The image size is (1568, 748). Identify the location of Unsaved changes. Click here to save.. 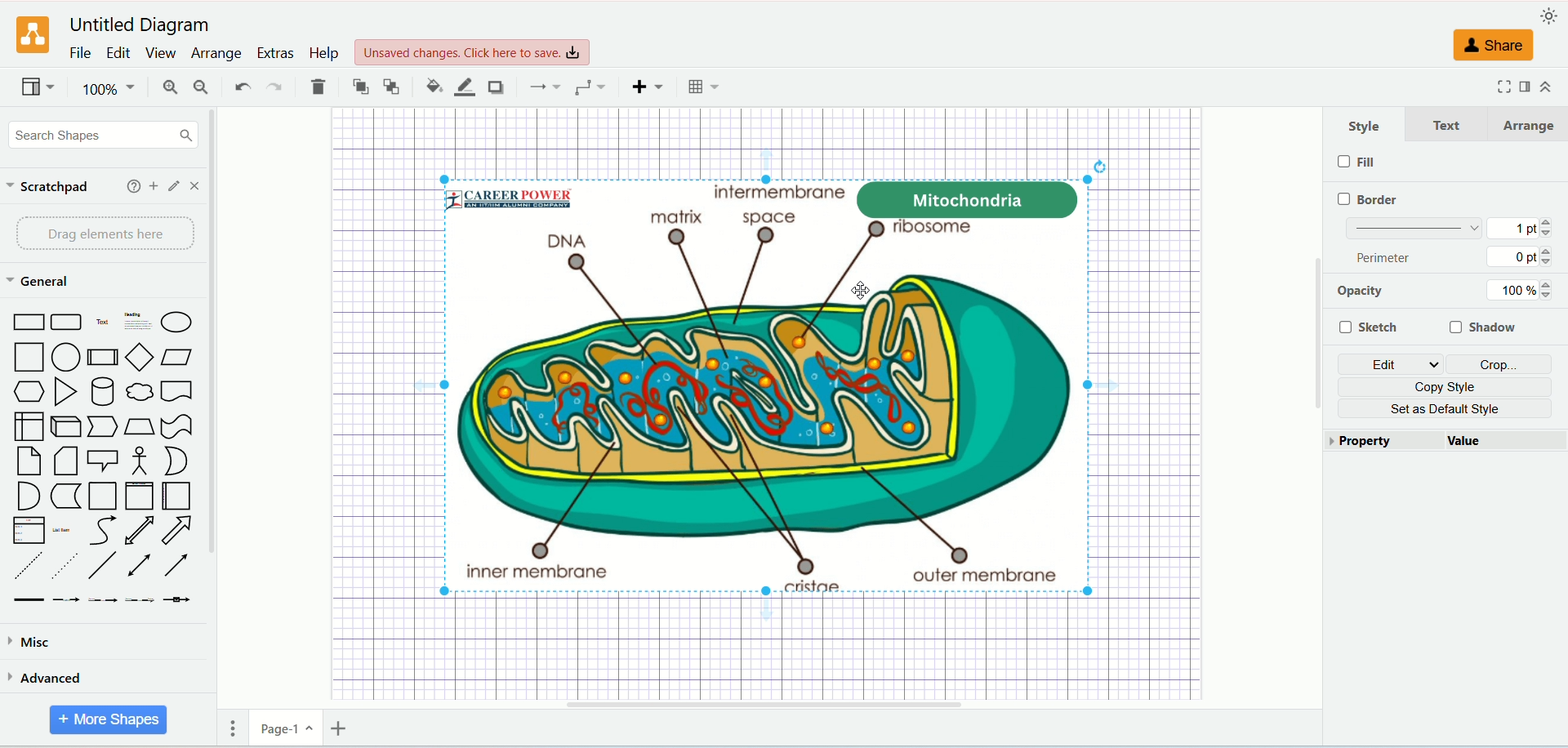
(470, 51).